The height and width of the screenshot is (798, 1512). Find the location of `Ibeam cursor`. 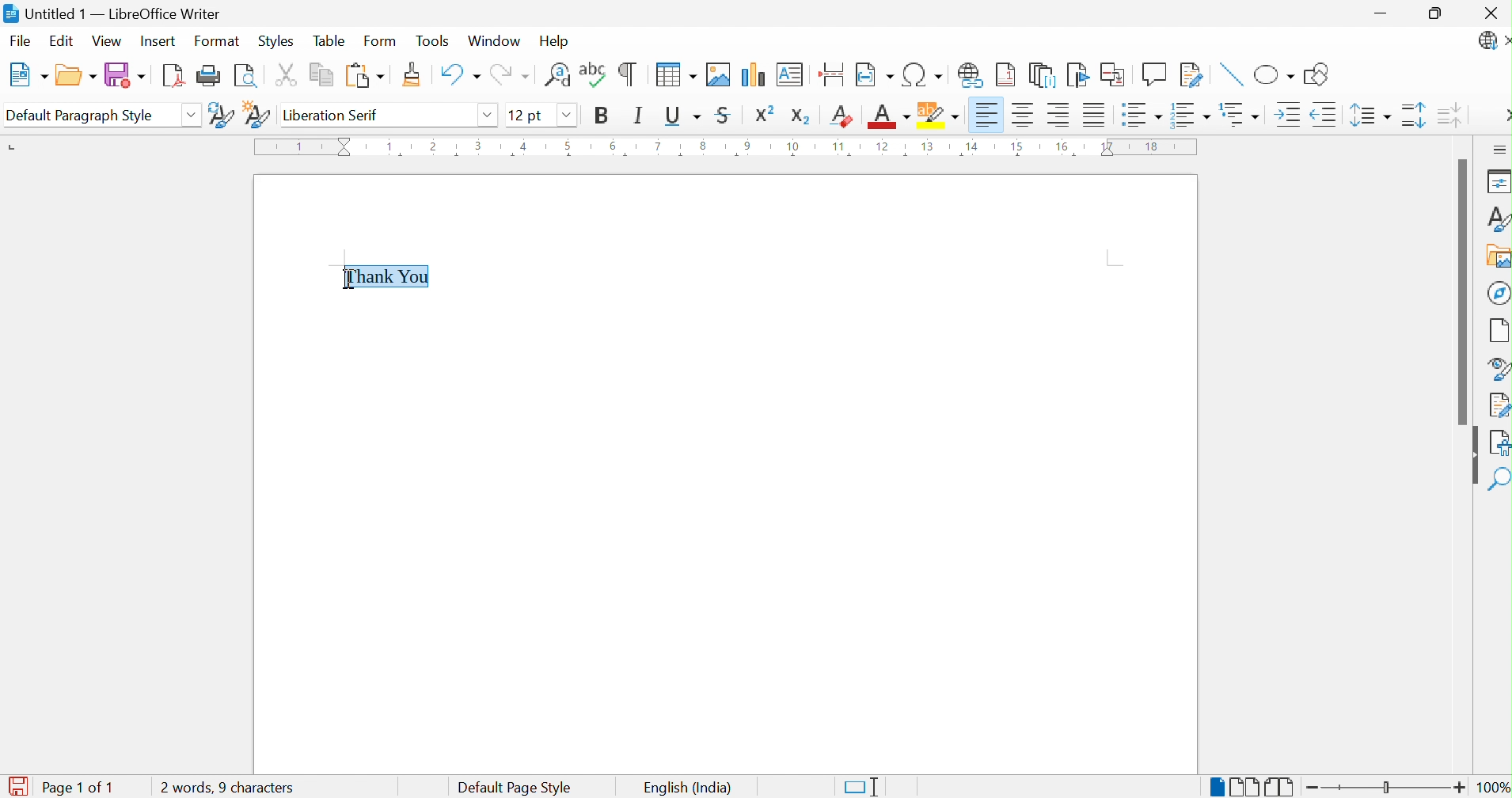

Ibeam cursor is located at coordinates (352, 282).